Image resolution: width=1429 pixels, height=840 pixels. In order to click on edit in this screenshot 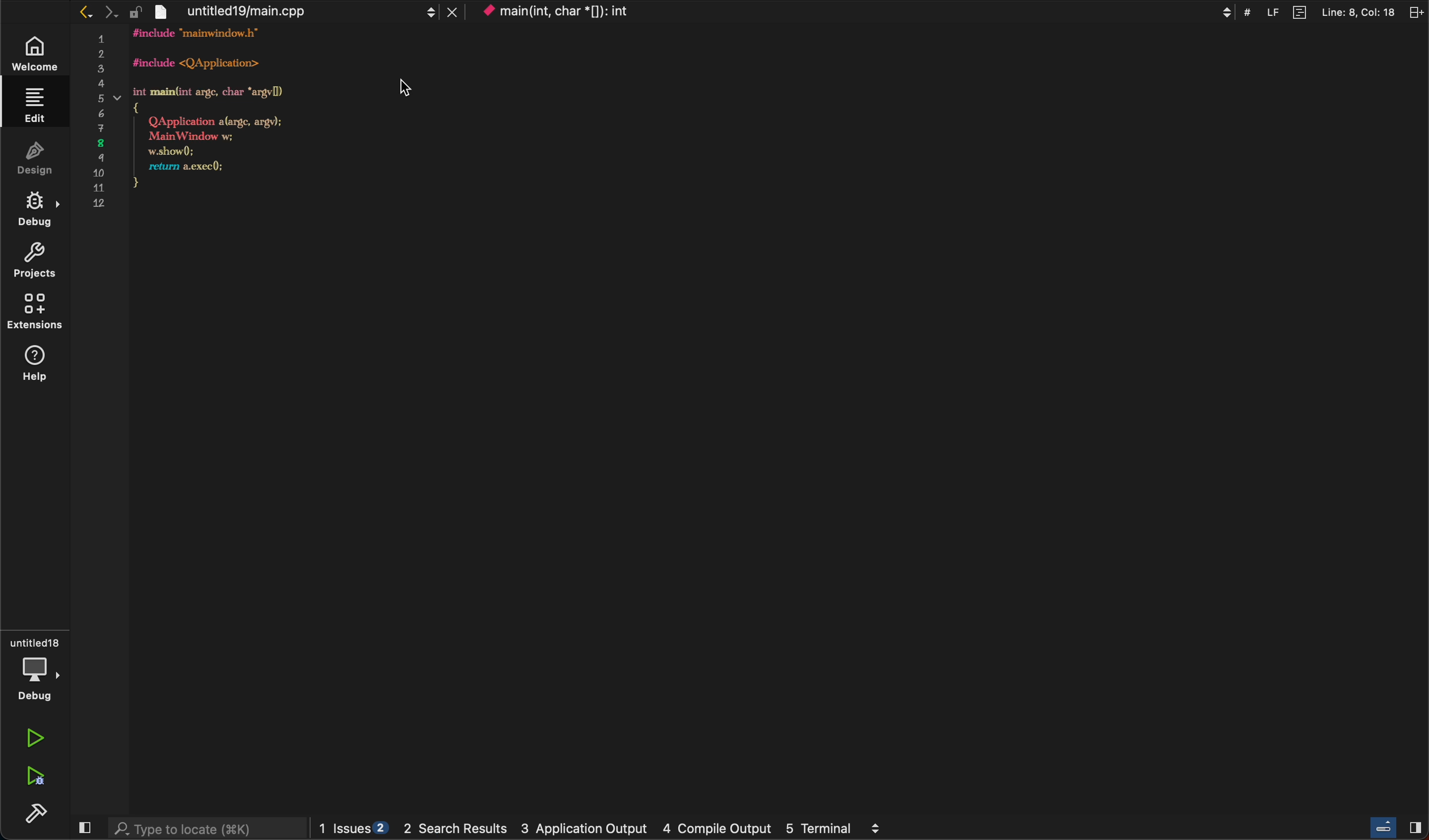, I will do `click(34, 107)`.